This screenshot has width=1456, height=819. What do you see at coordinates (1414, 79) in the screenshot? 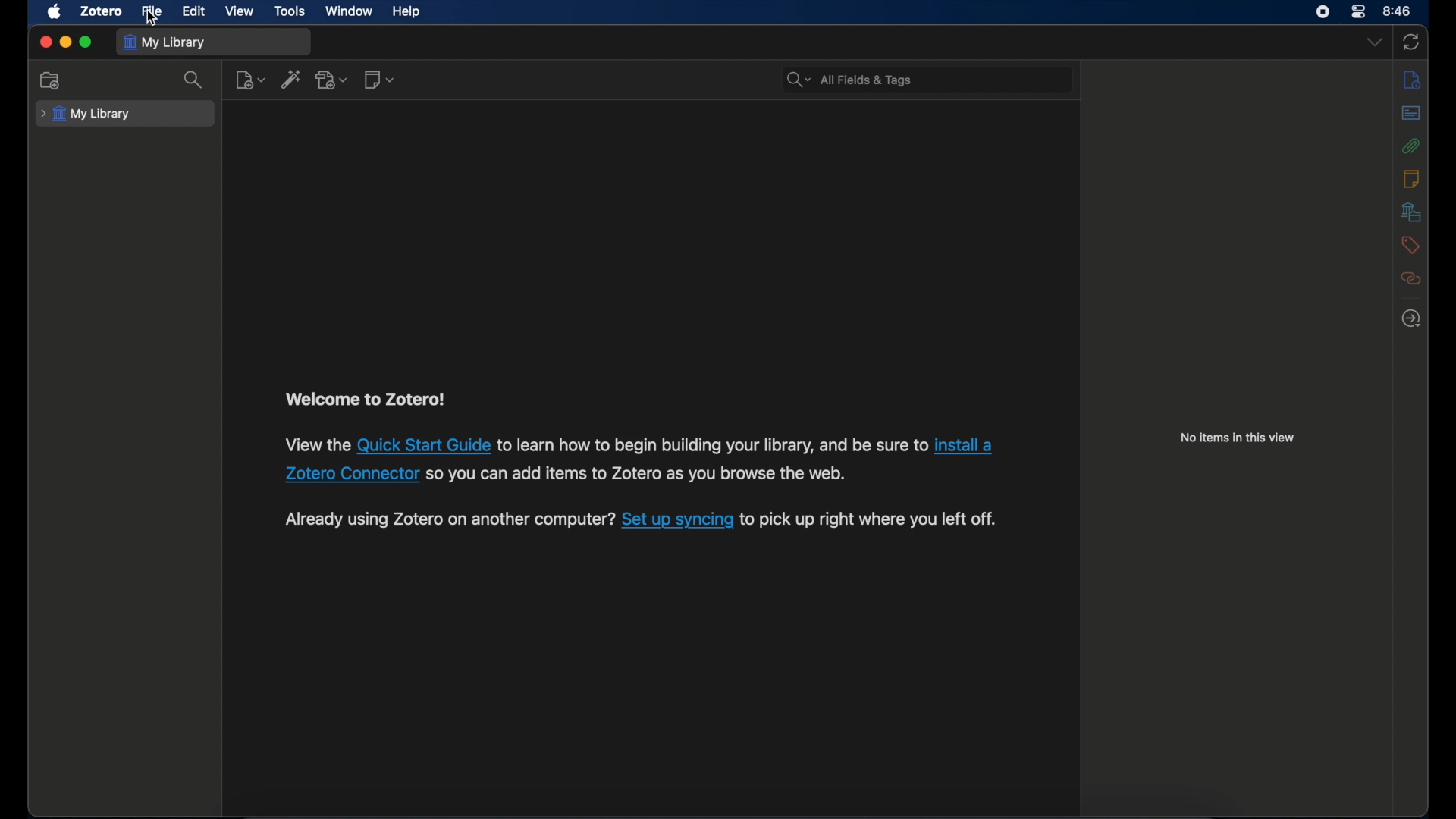
I see `info` at bounding box center [1414, 79].